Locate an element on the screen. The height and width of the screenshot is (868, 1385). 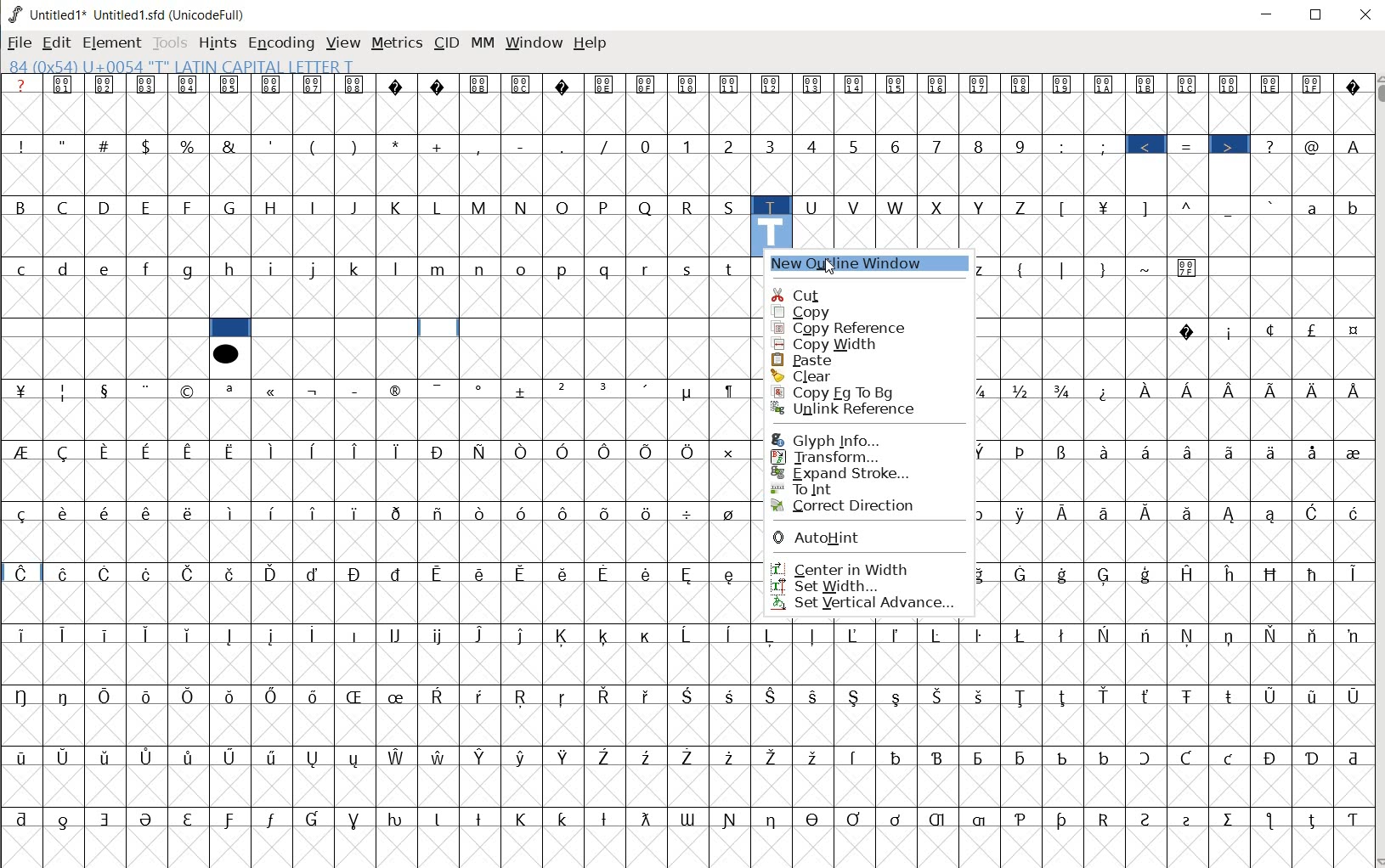
tools is located at coordinates (171, 42).